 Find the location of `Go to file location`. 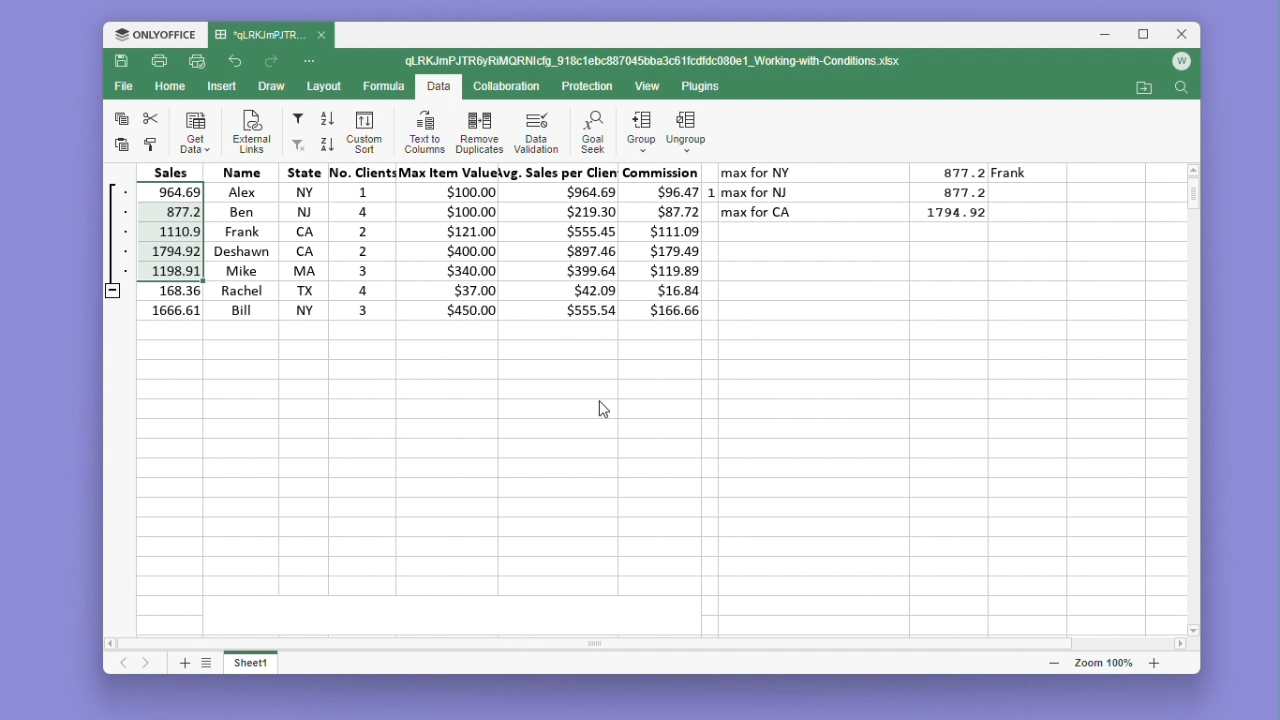

Go to file location is located at coordinates (1146, 88).